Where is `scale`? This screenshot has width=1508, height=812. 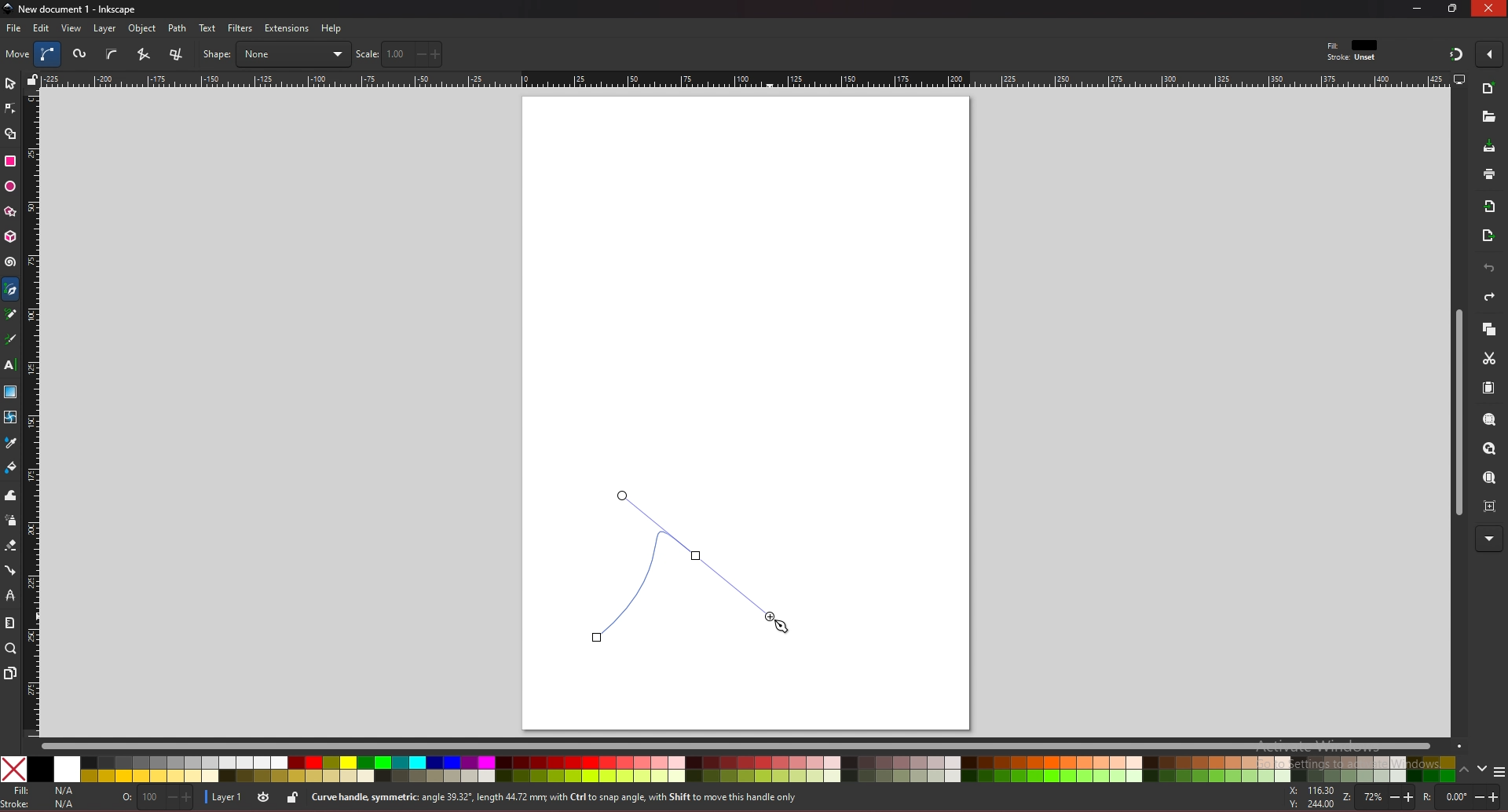 scale is located at coordinates (399, 53).